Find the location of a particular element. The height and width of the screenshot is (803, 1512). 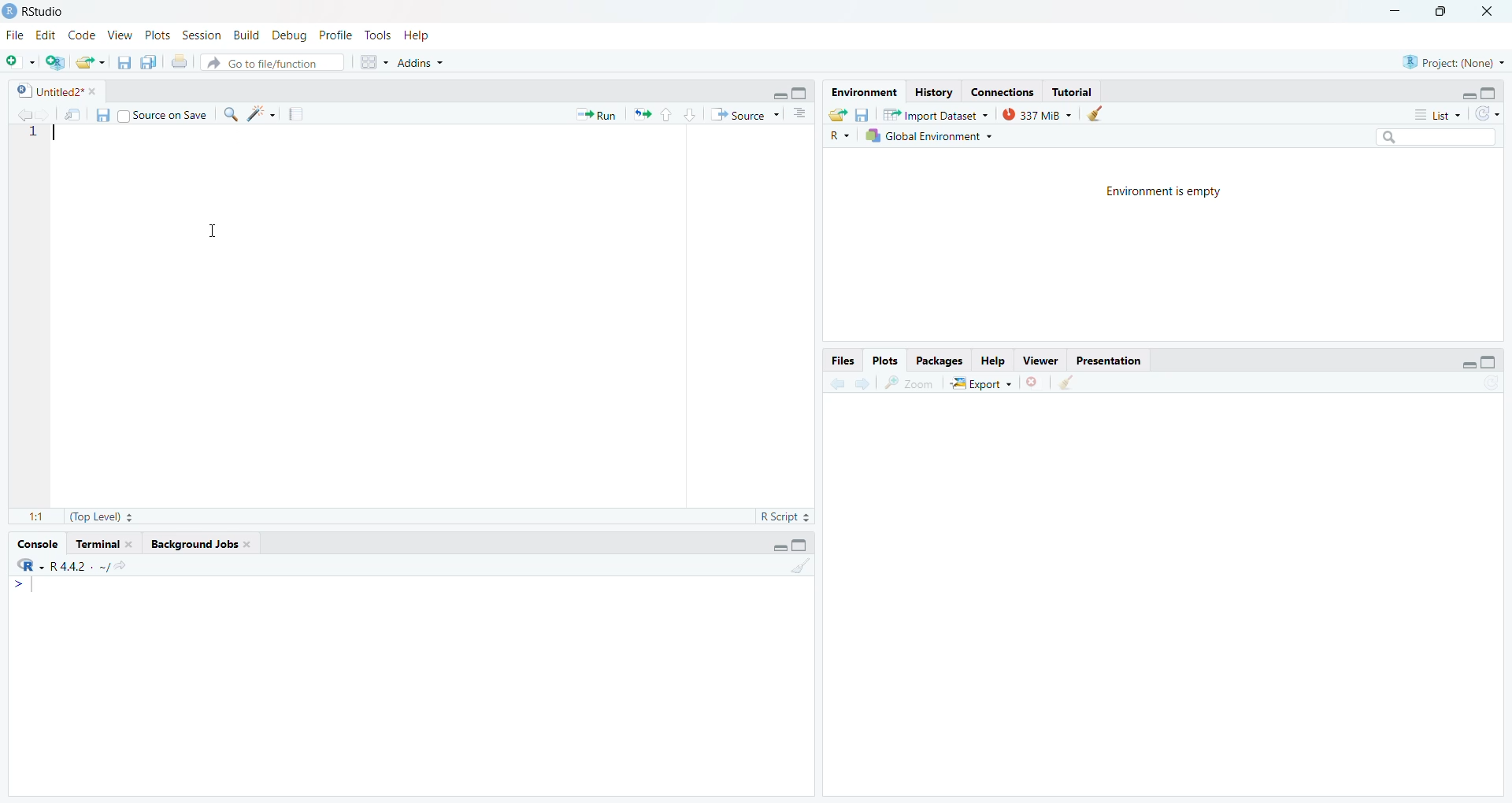

workspace pane is located at coordinates (376, 61).